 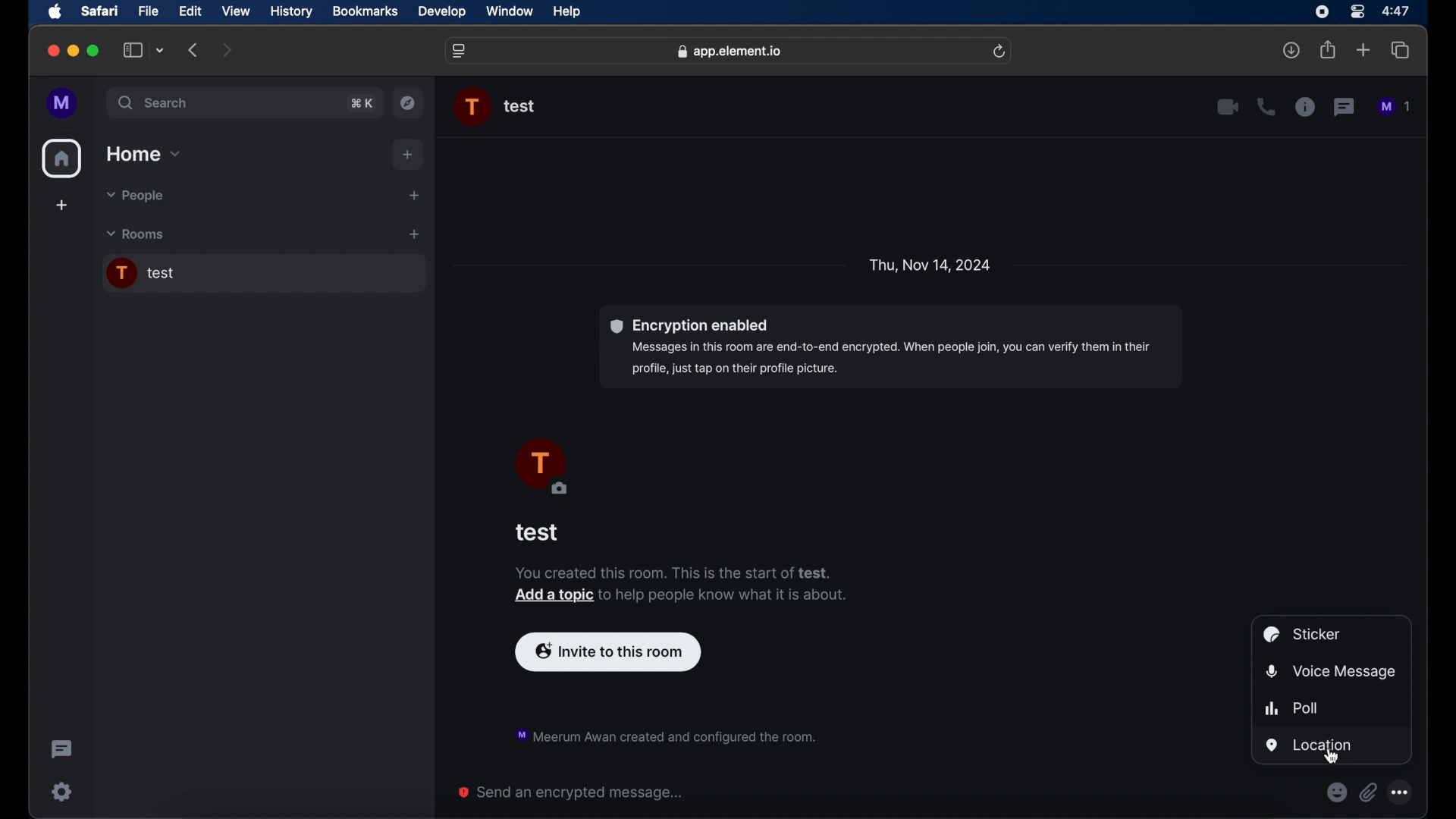 I want to click on voice call, so click(x=1266, y=107).